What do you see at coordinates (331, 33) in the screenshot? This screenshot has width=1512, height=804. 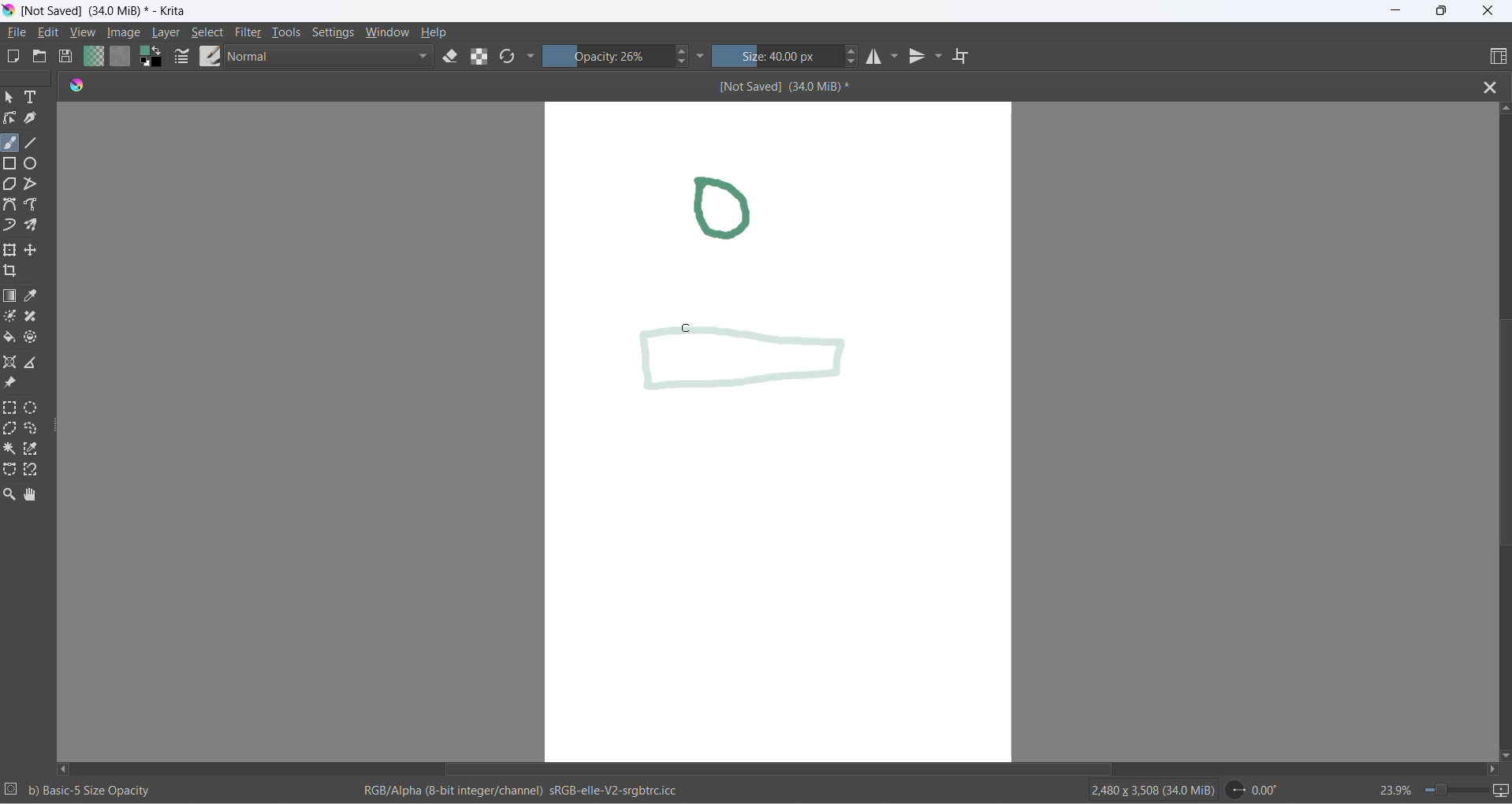 I see `settings` at bounding box center [331, 33].